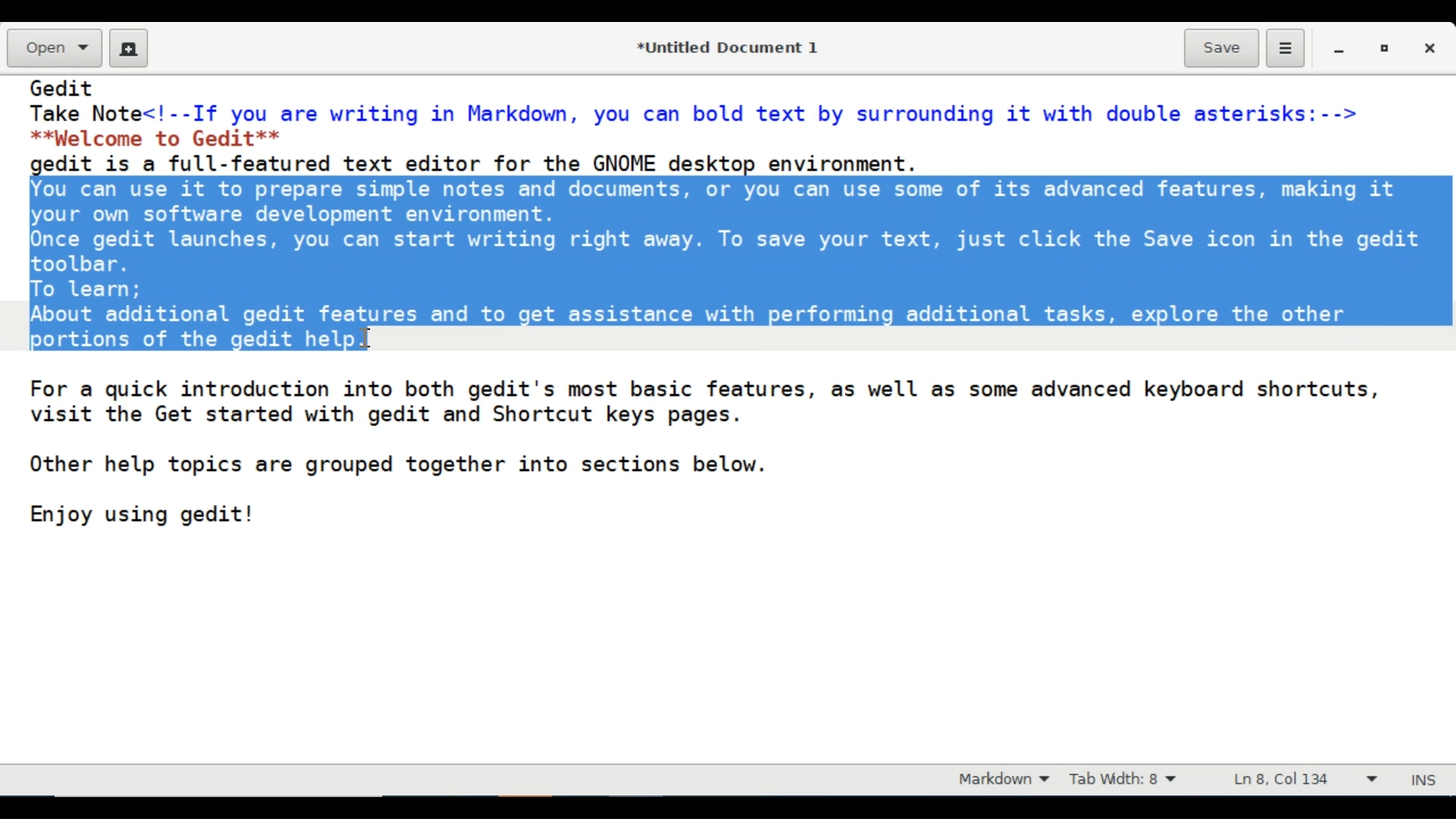 The width and height of the screenshot is (1456, 819). What do you see at coordinates (1432, 48) in the screenshot?
I see `Close` at bounding box center [1432, 48].